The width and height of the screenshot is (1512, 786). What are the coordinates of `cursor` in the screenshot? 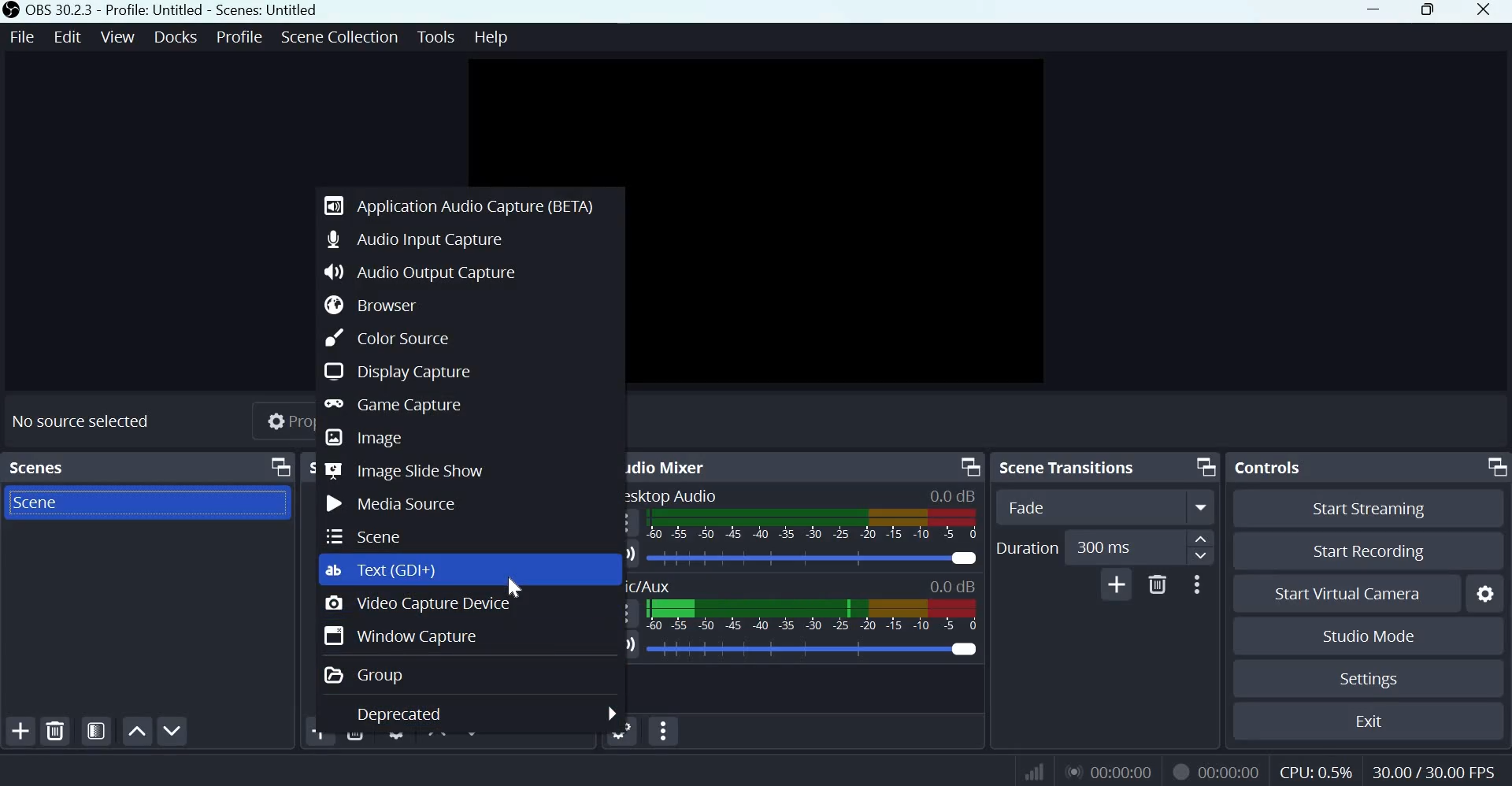 It's located at (521, 583).